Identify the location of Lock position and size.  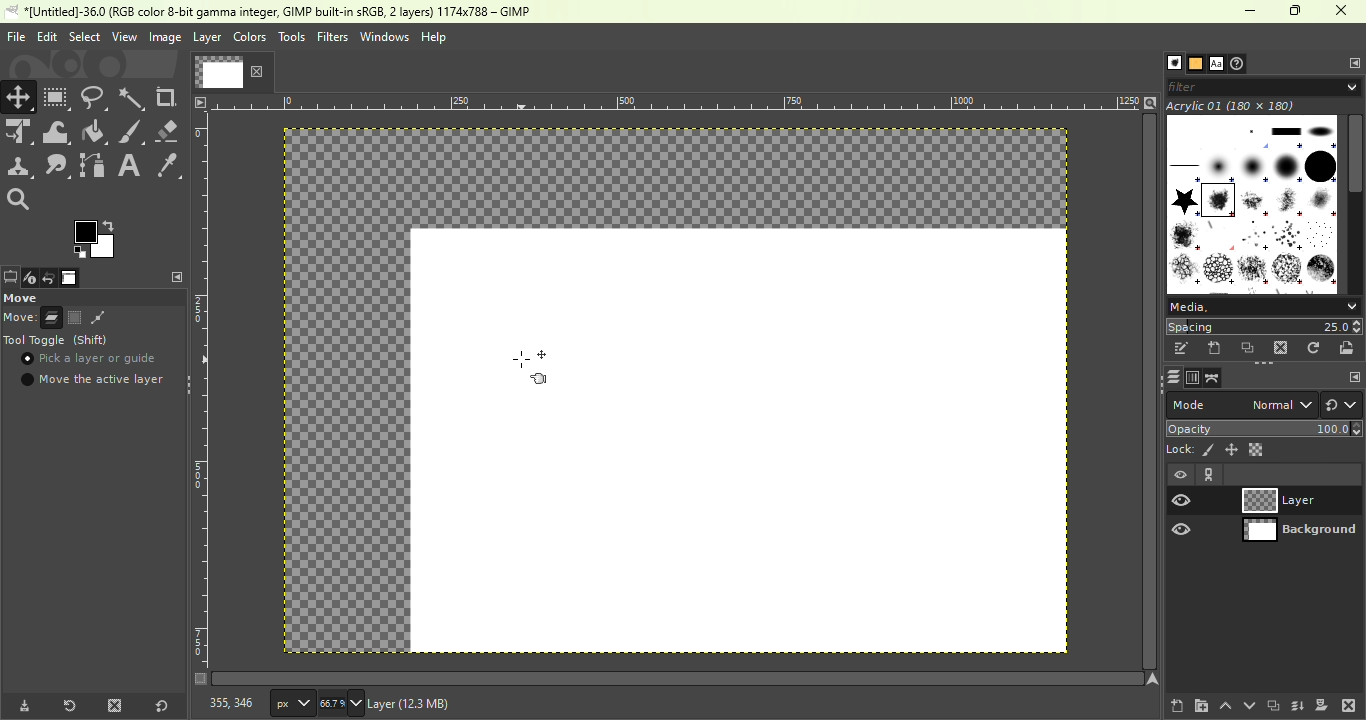
(1231, 450).